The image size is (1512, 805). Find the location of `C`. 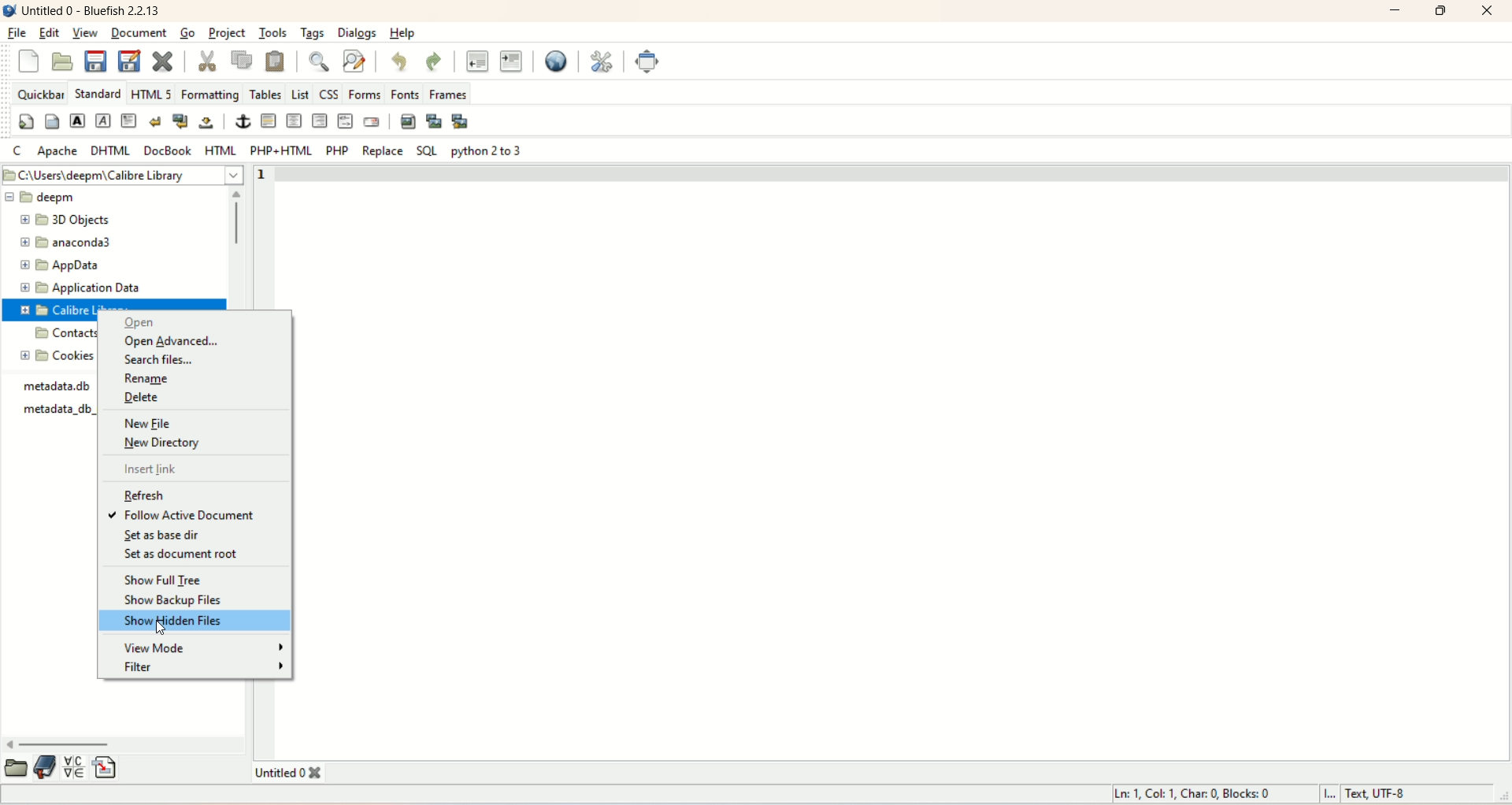

C is located at coordinates (17, 151).